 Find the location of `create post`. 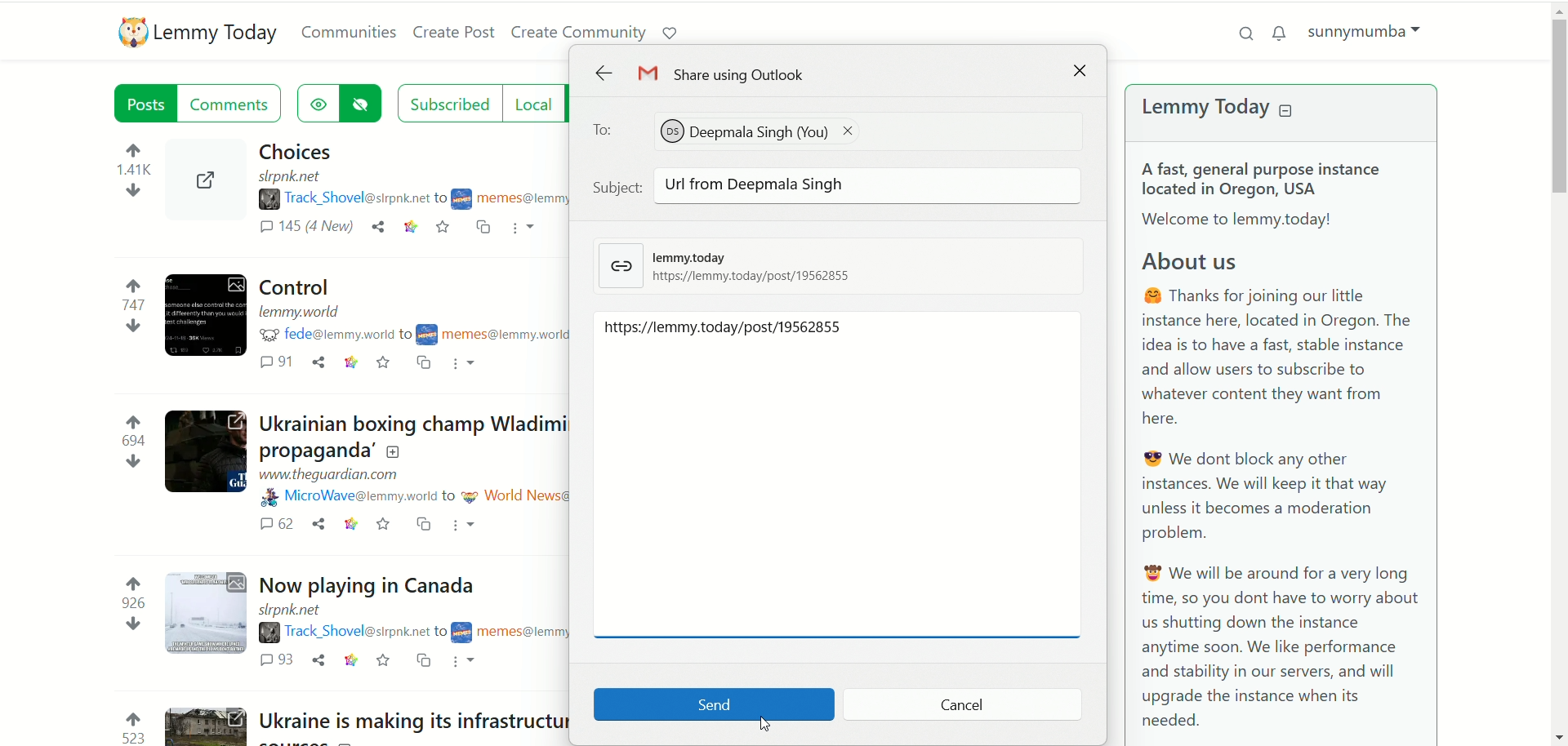

create post is located at coordinates (452, 30).